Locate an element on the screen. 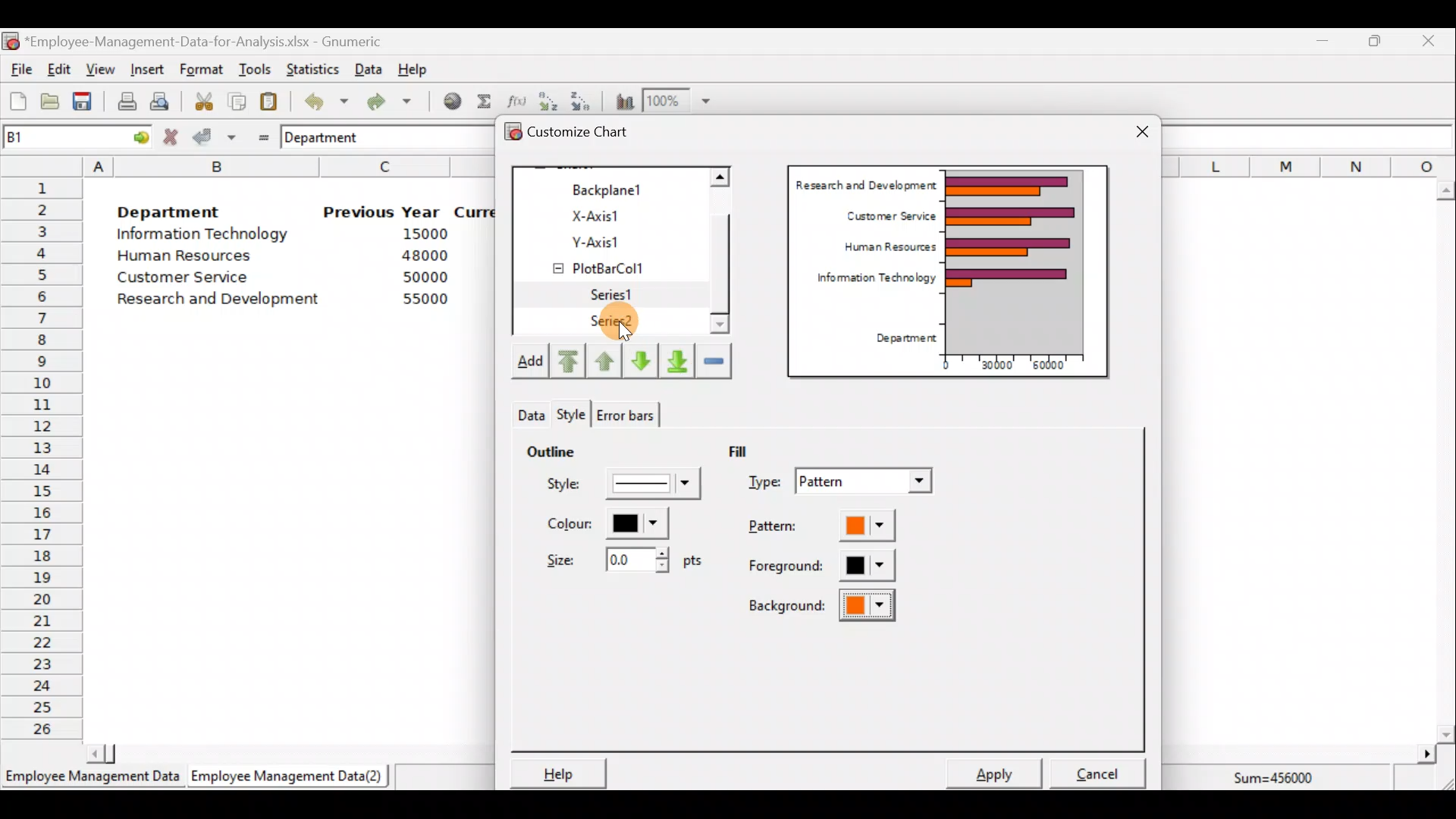 This screenshot has height=819, width=1456. Background is located at coordinates (821, 610).